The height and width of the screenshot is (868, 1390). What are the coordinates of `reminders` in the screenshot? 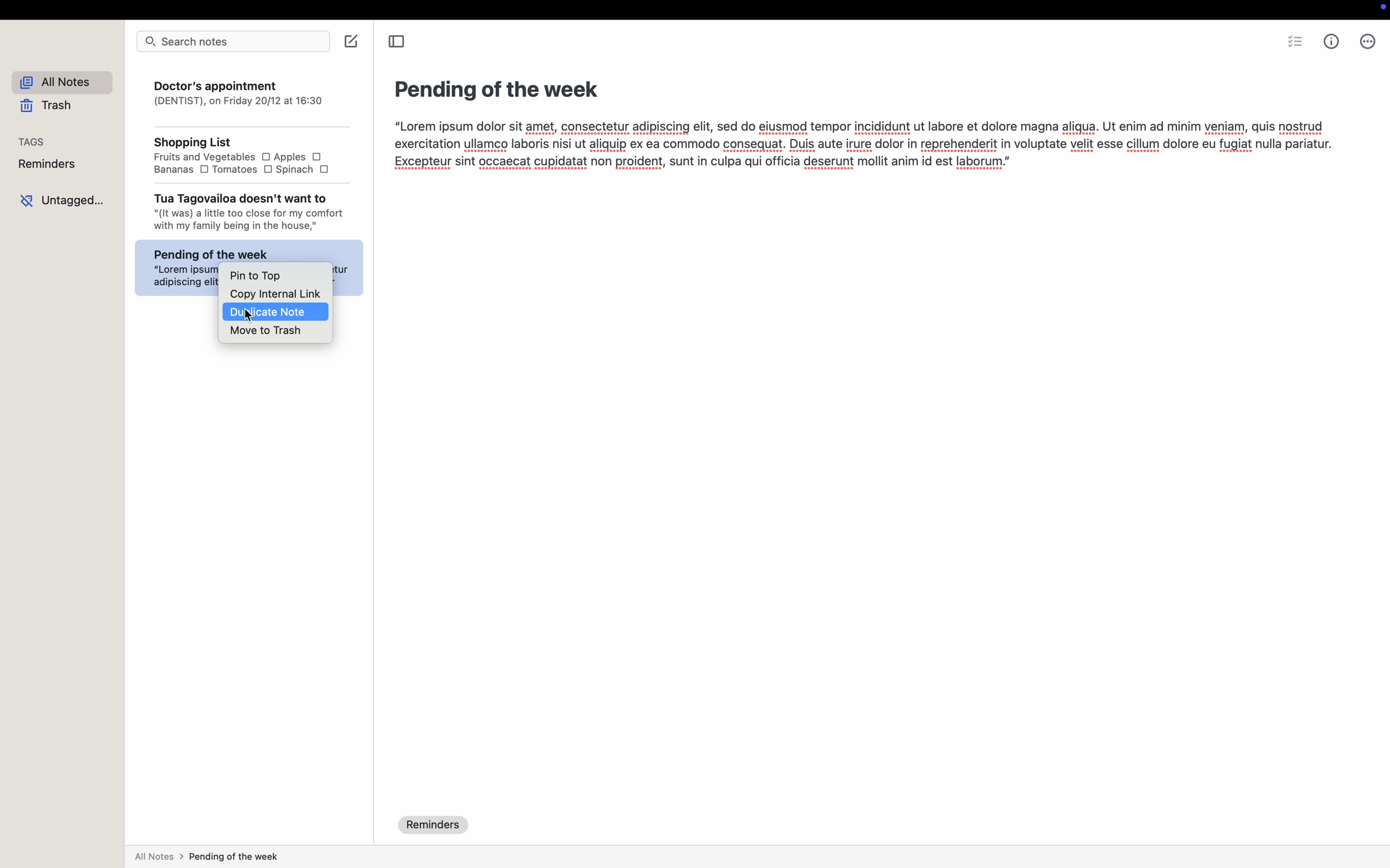 It's located at (433, 826).